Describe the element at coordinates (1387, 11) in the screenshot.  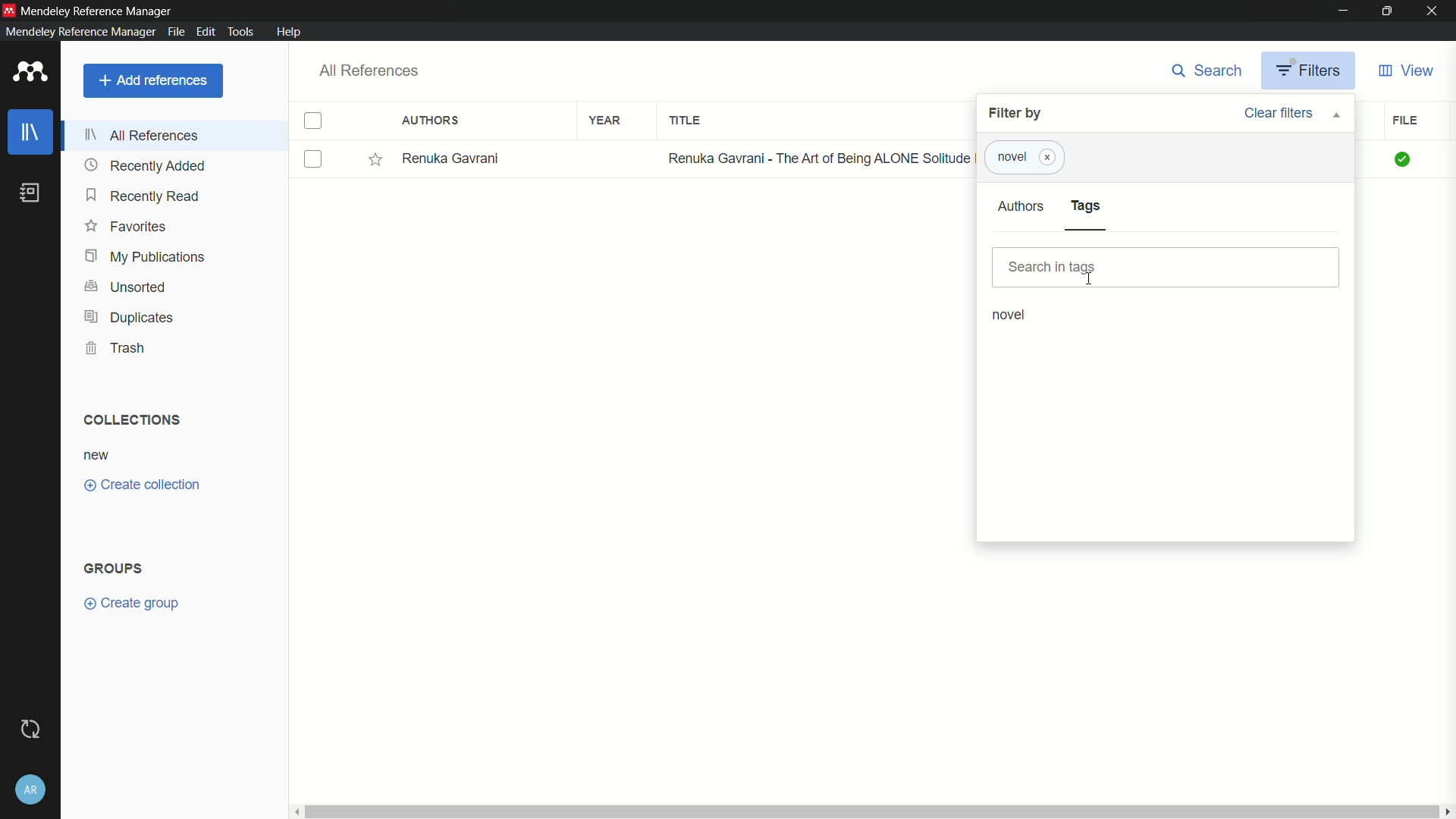
I see `maximize` at that location.